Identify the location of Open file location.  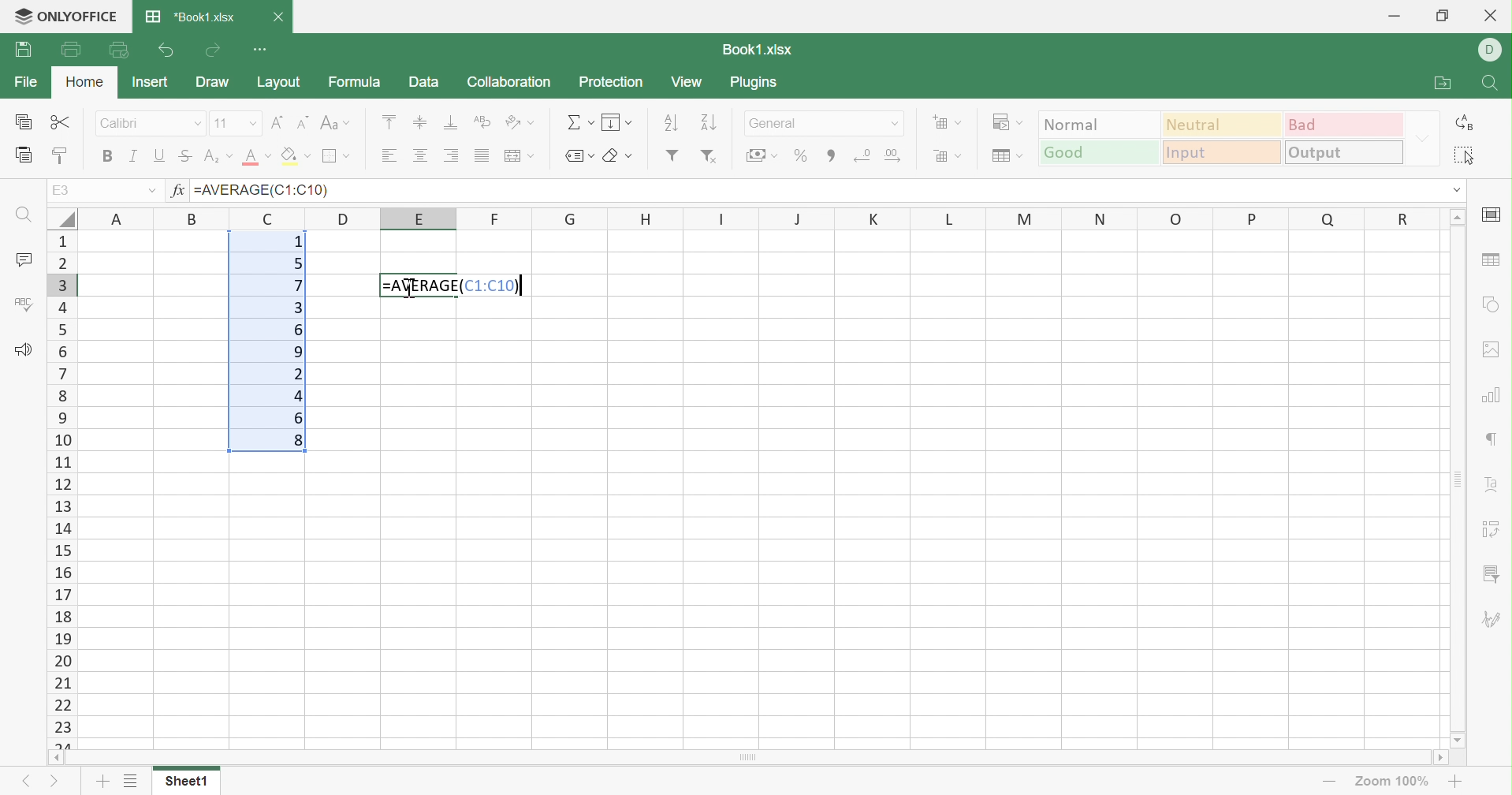
(1447, 84).